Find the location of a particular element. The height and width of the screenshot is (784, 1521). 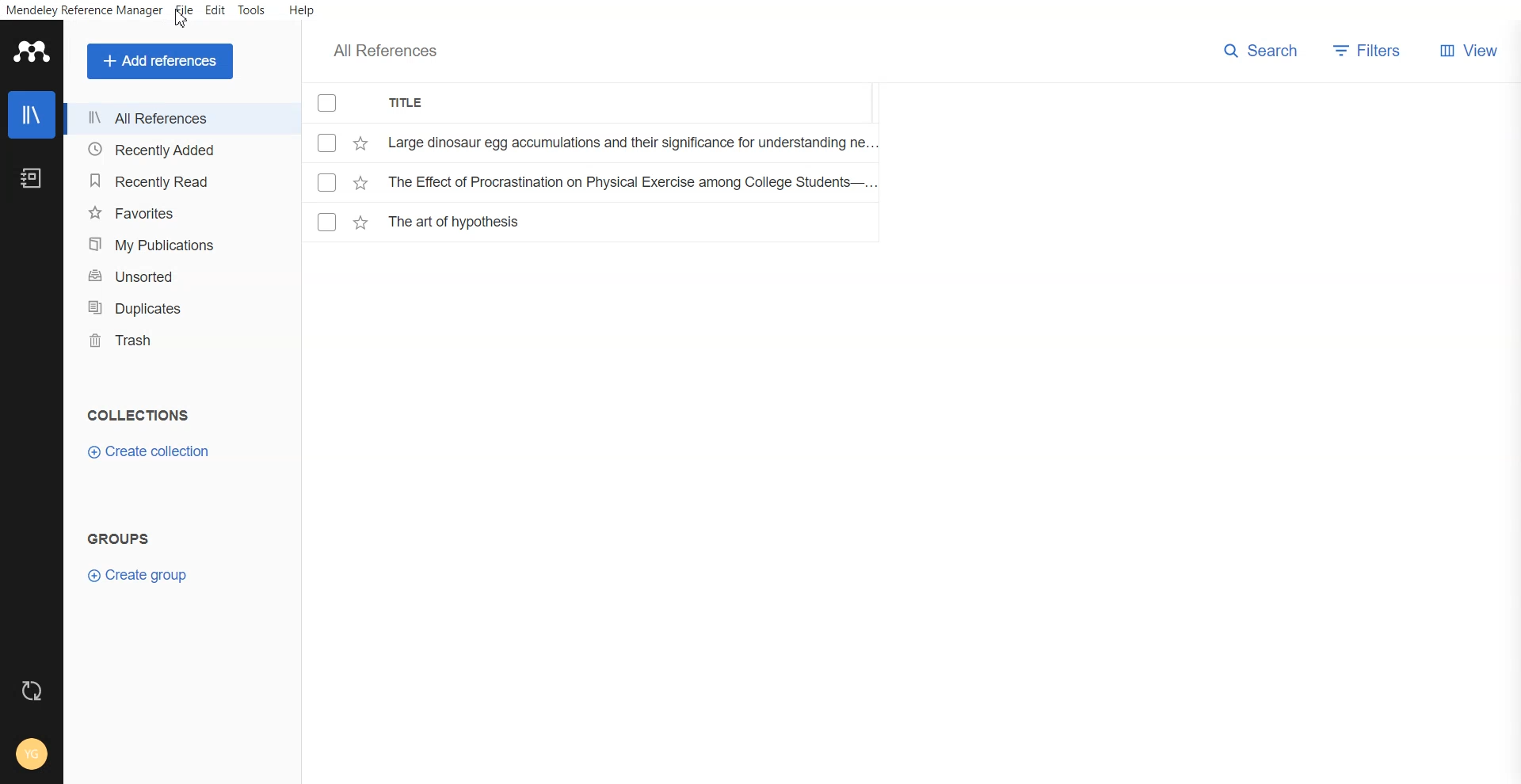

Help is located at coordinates (300, 10).